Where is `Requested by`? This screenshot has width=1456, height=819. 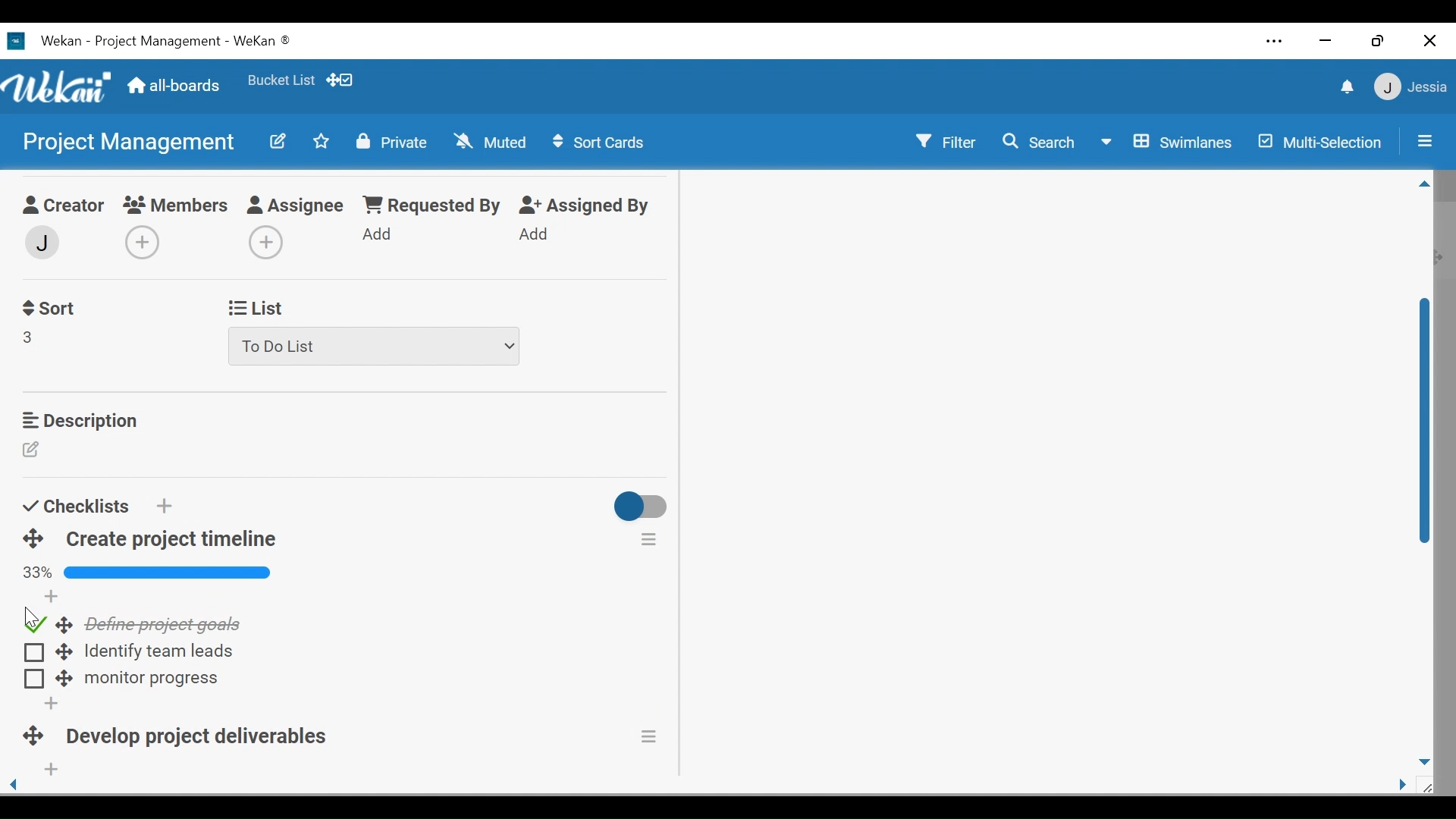 Requested by is located at coordinates (430, 206).